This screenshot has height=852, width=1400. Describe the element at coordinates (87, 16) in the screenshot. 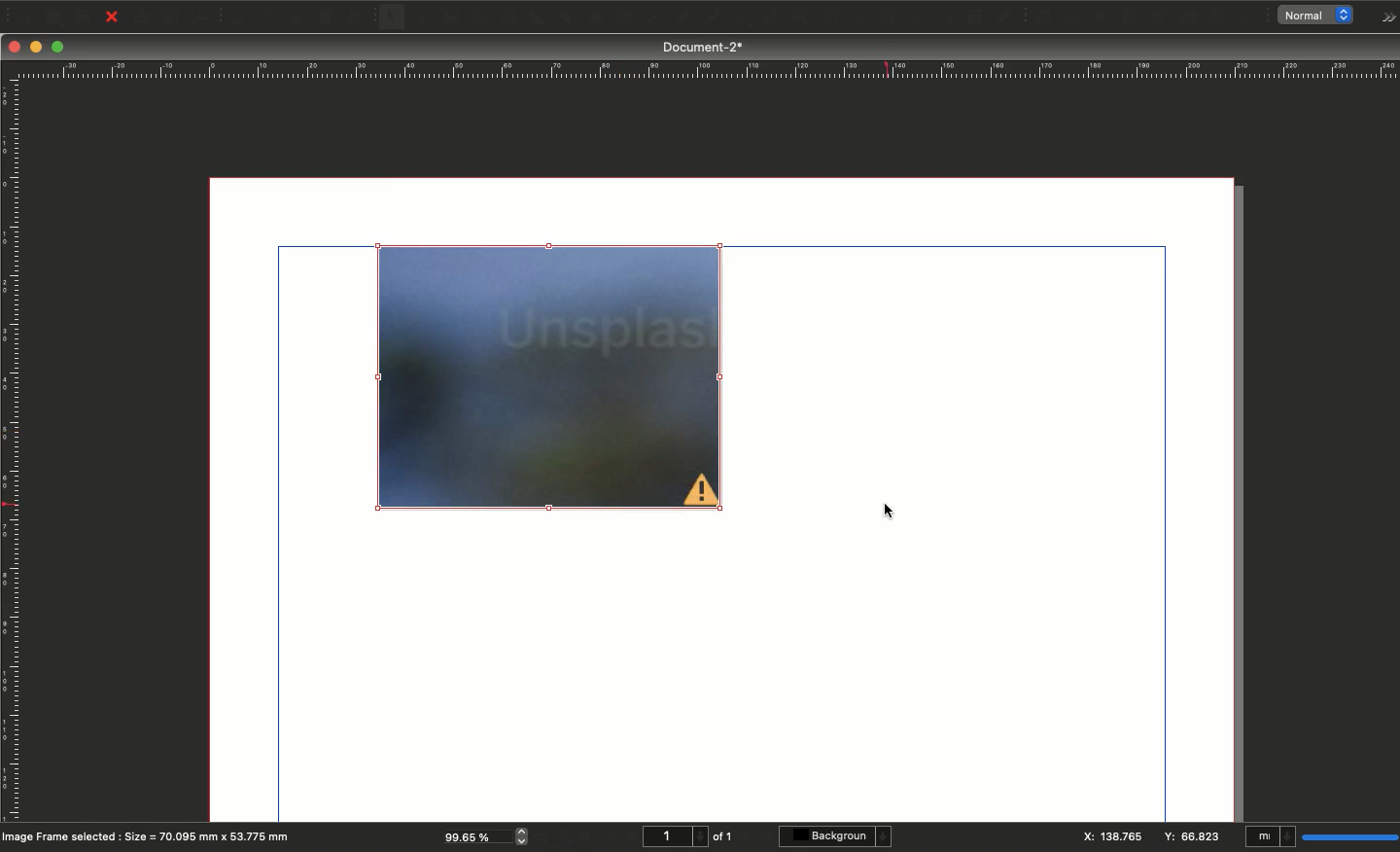

I see `Save` at that location.